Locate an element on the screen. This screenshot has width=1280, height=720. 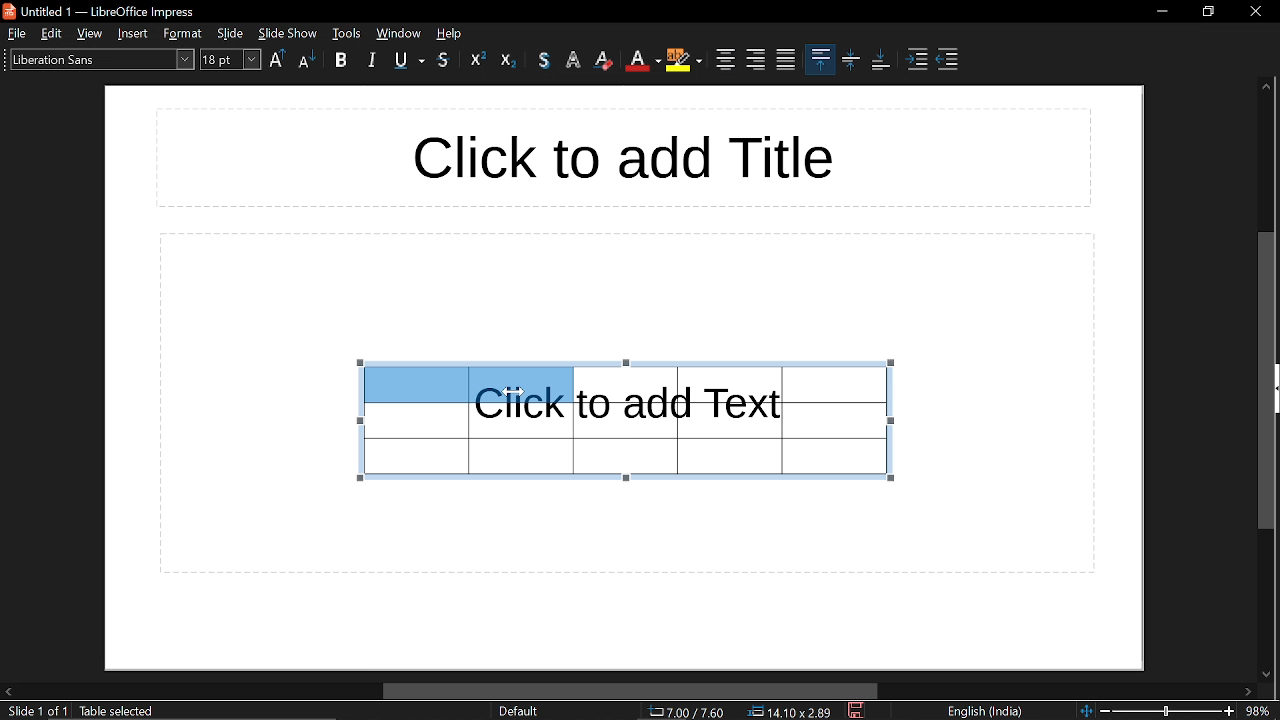
Table is located at coordinates (738, 421).